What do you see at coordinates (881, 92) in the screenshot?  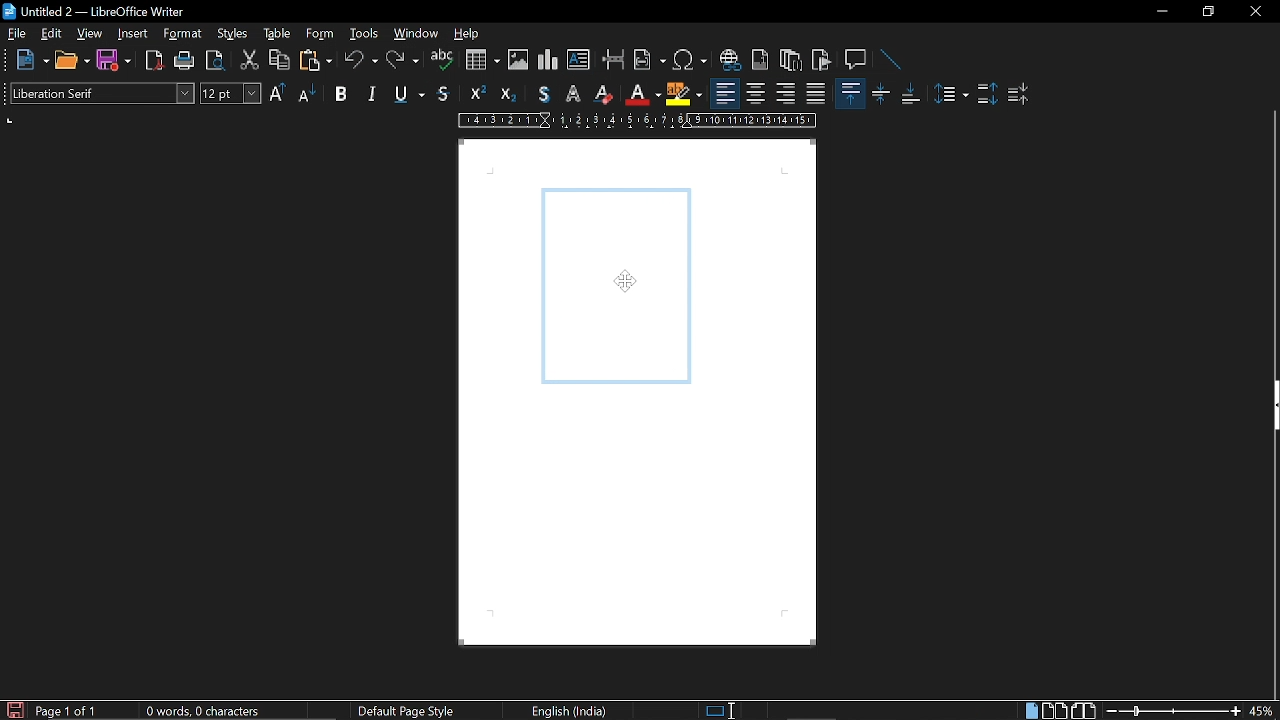 I see `Align centre` at bounding box center [881, 92].